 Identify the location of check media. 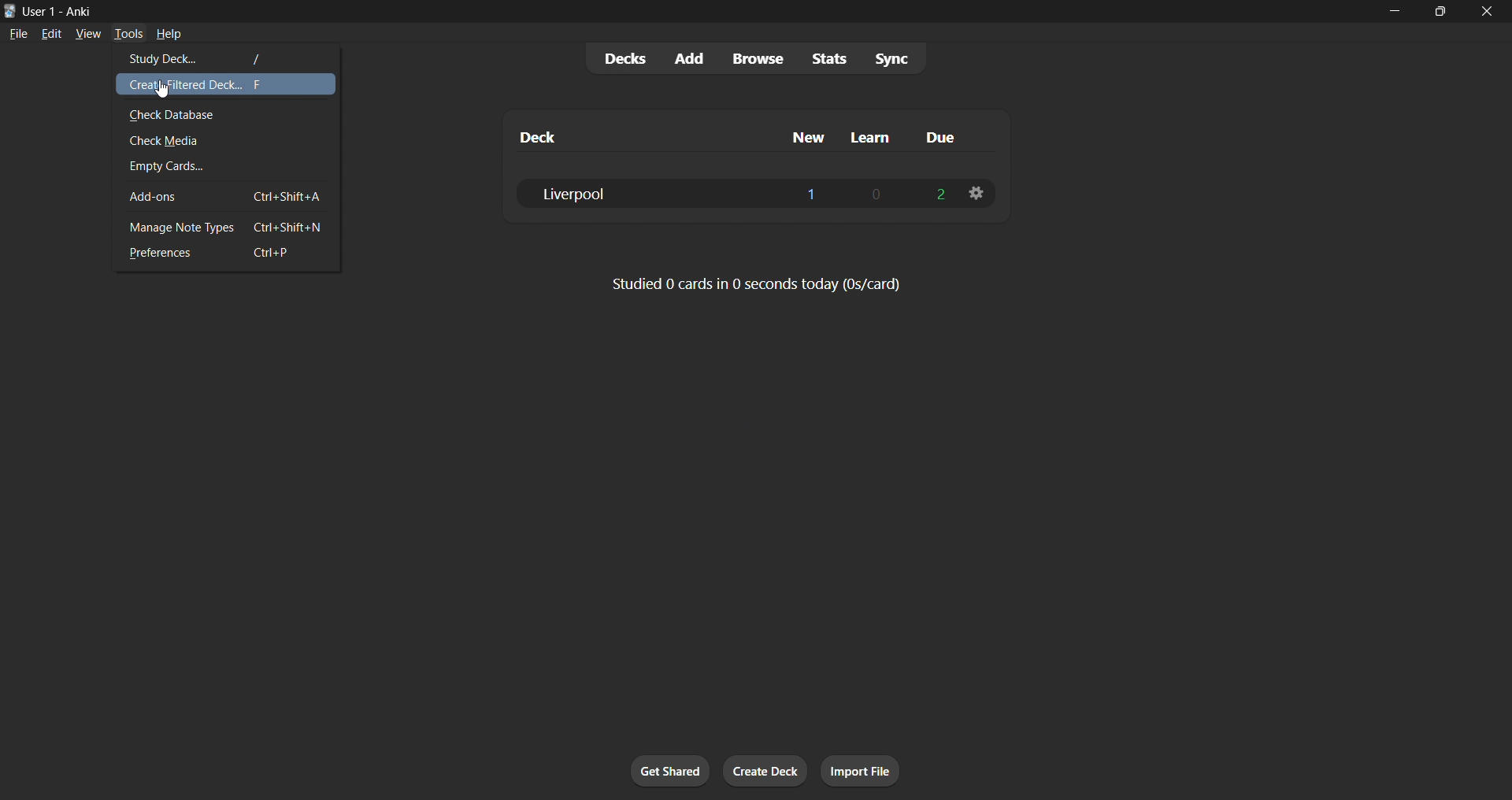
(224, 142).